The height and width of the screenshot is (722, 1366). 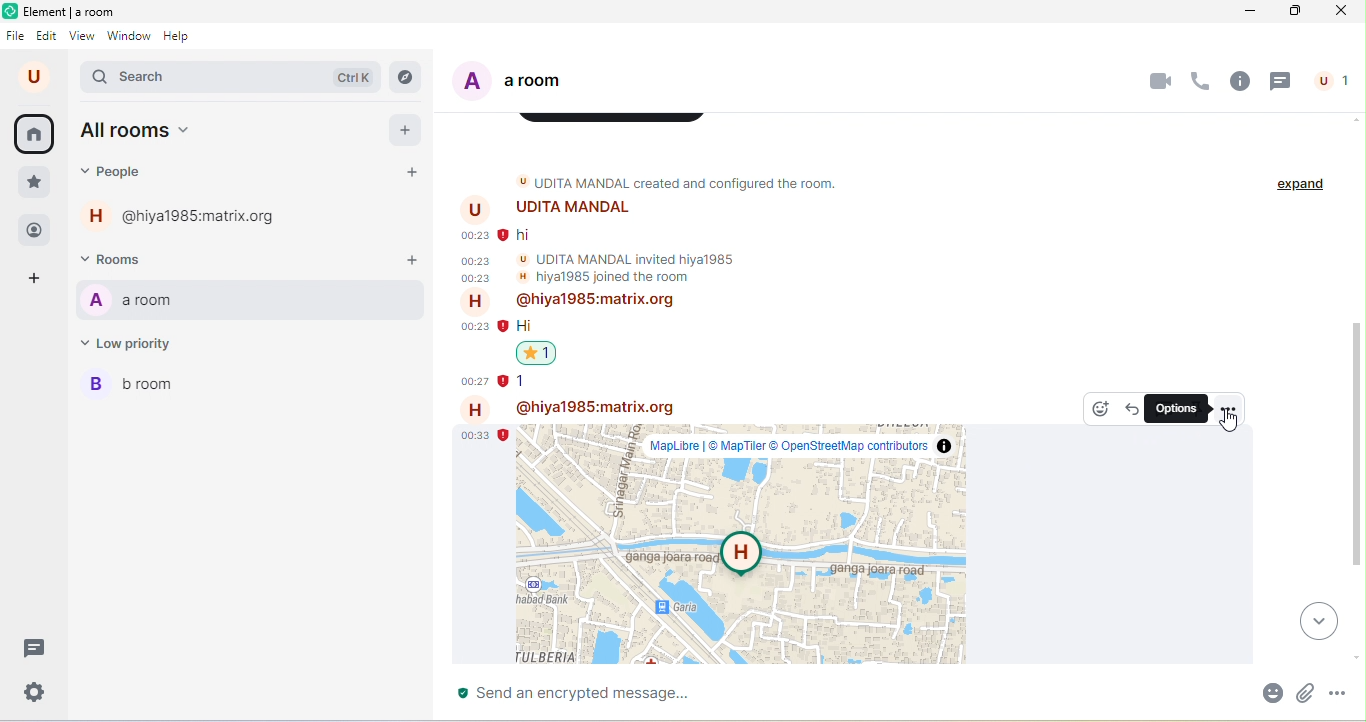 I want to click on @hiya1985:matrix.org, so click(x=568, y=302).